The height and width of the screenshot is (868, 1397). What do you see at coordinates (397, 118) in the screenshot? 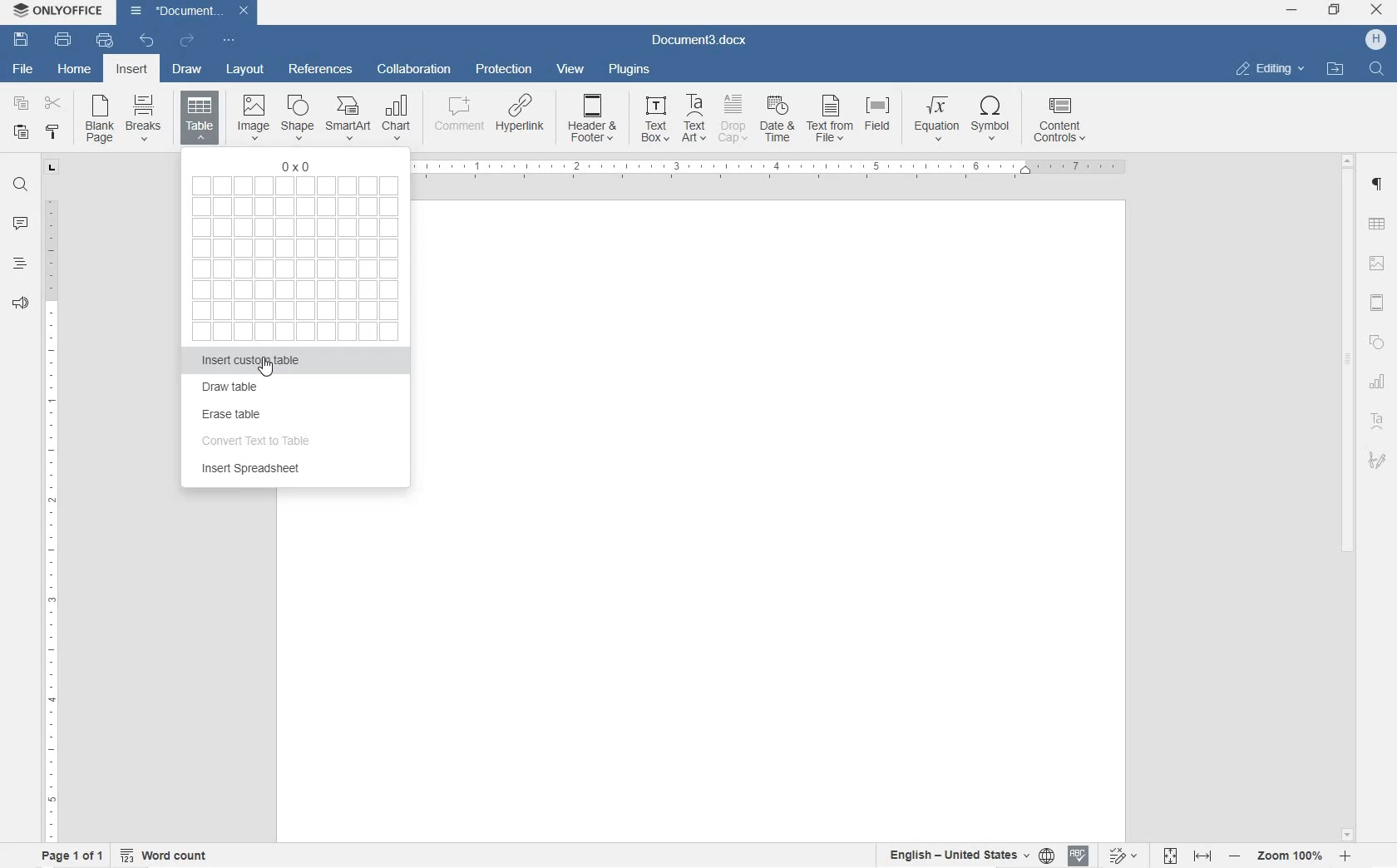
I see `chart` at bounding box center [397, 118].